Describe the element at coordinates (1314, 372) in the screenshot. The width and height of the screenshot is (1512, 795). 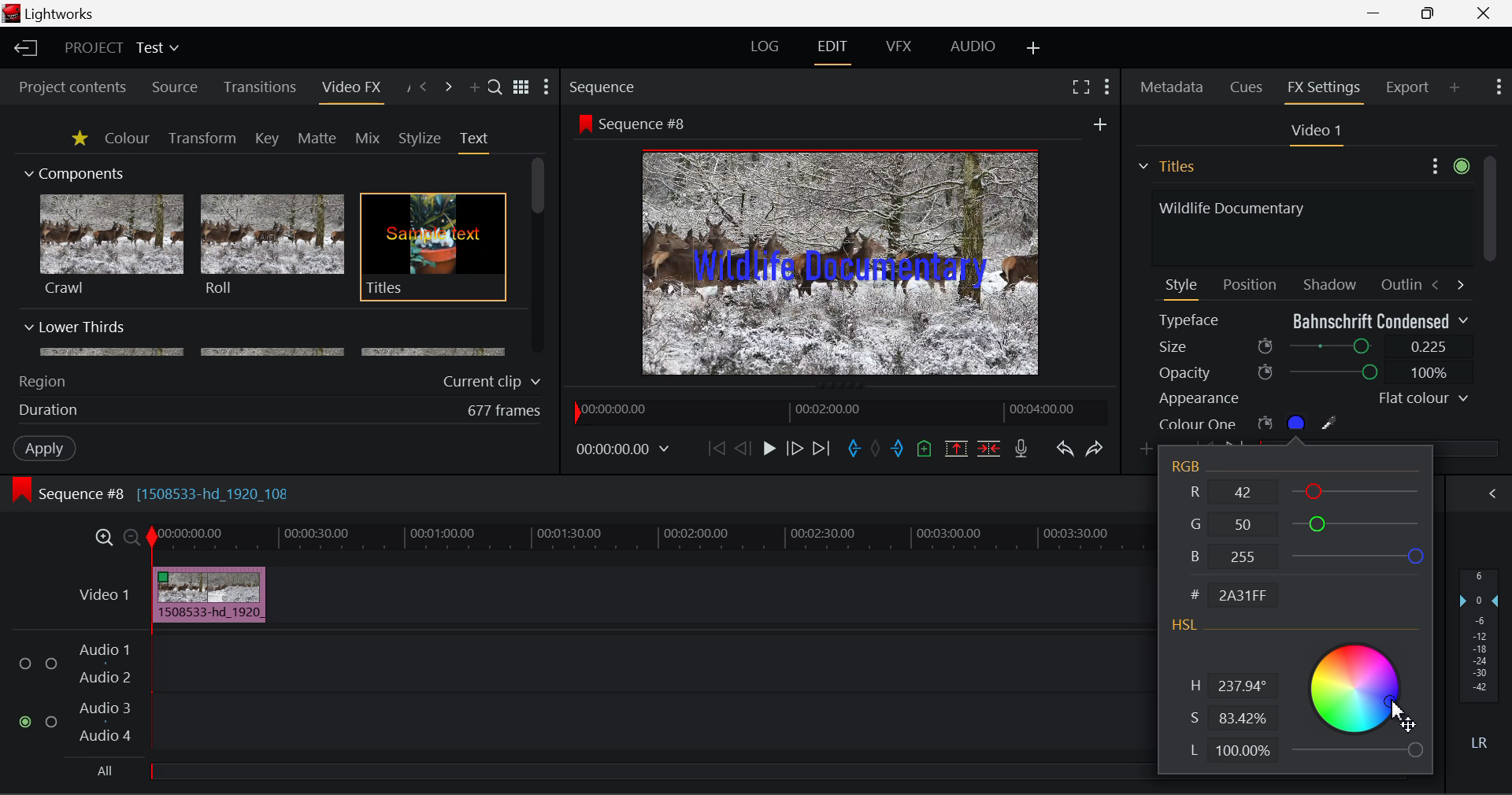
I see `Opacity` at that location.